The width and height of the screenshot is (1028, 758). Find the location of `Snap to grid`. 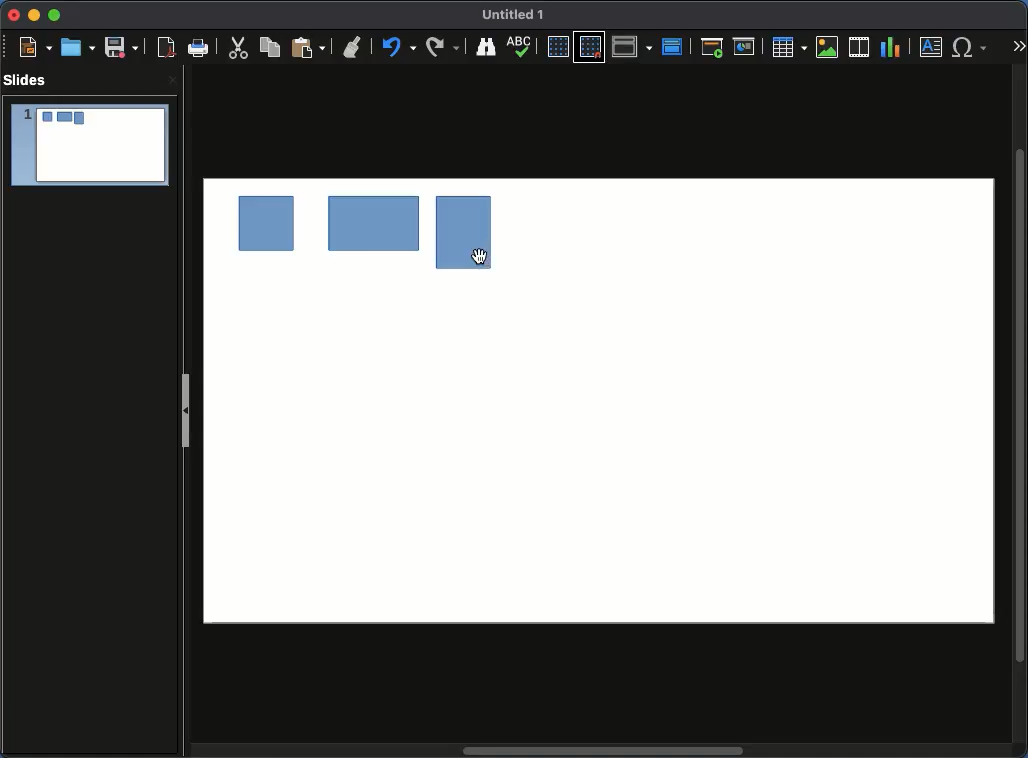

Snap to grid is located at coordinates (590, 47).